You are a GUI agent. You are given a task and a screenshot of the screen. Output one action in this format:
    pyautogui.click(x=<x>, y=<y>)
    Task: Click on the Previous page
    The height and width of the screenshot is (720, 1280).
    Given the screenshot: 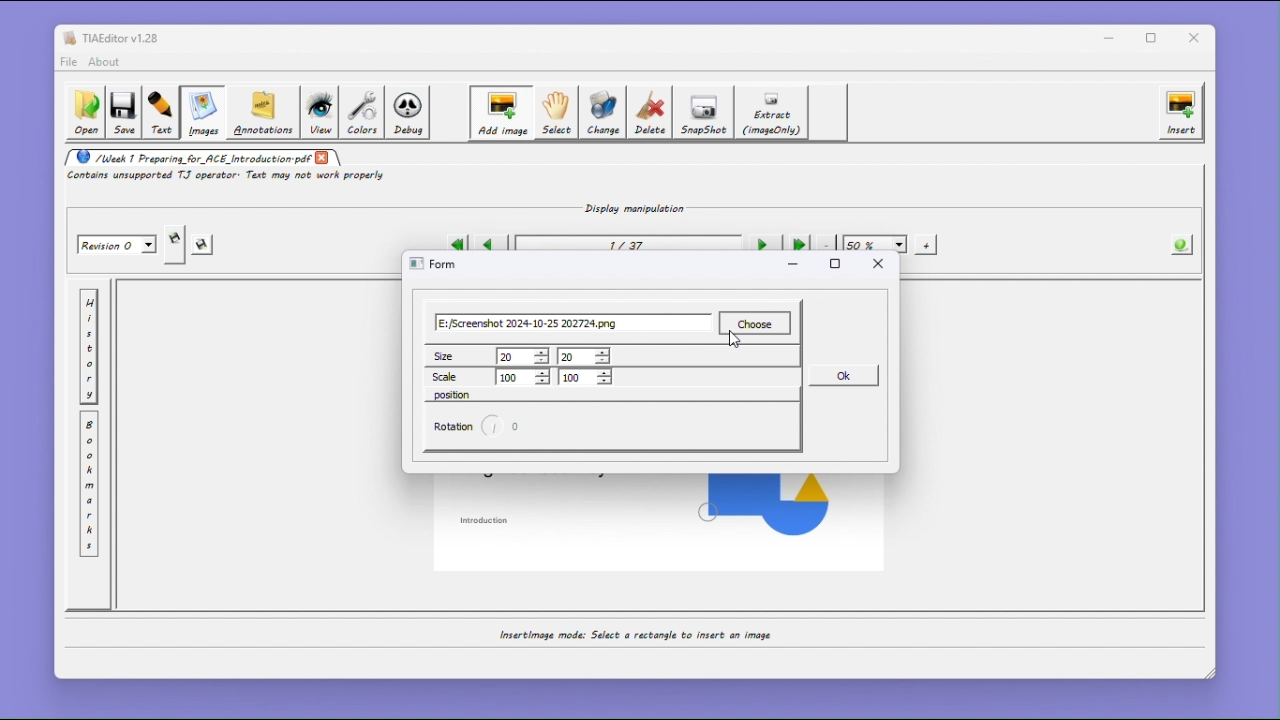 What is the action you would take?
    pyautogui.click(x=489, y=244)
    